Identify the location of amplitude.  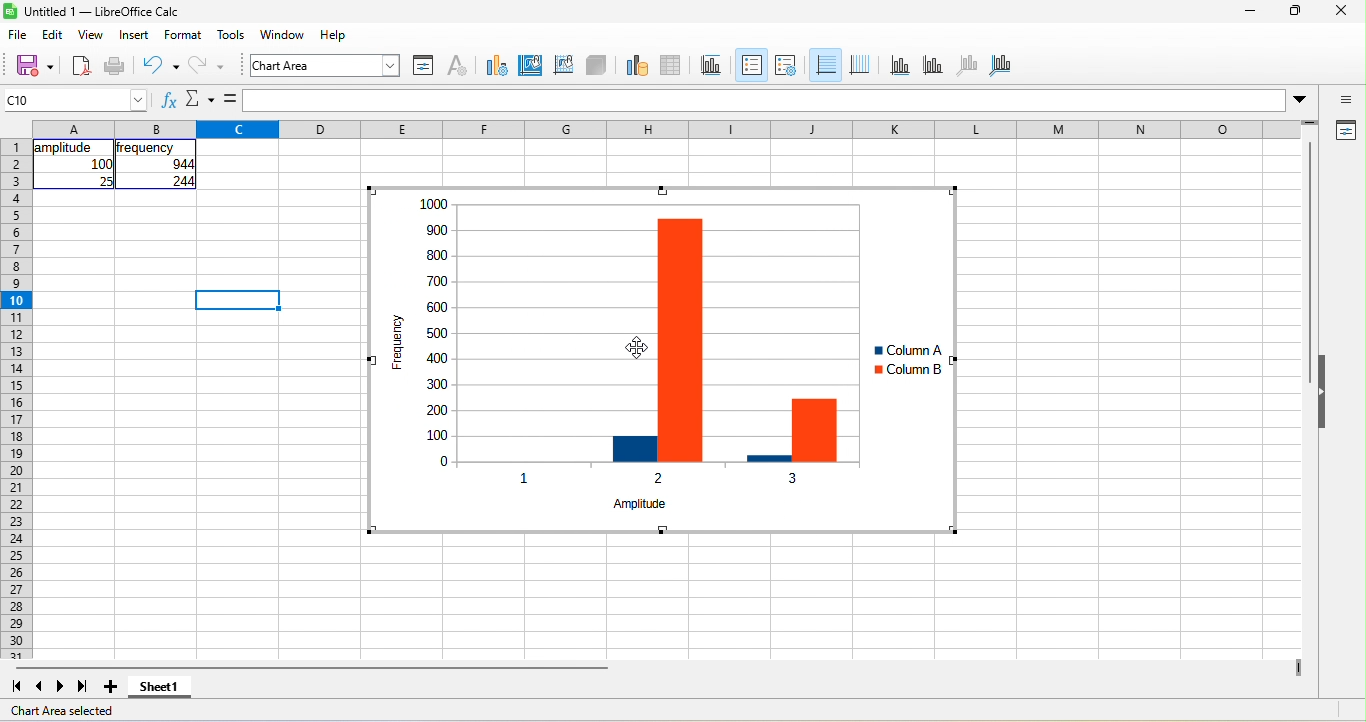
(66, 148).